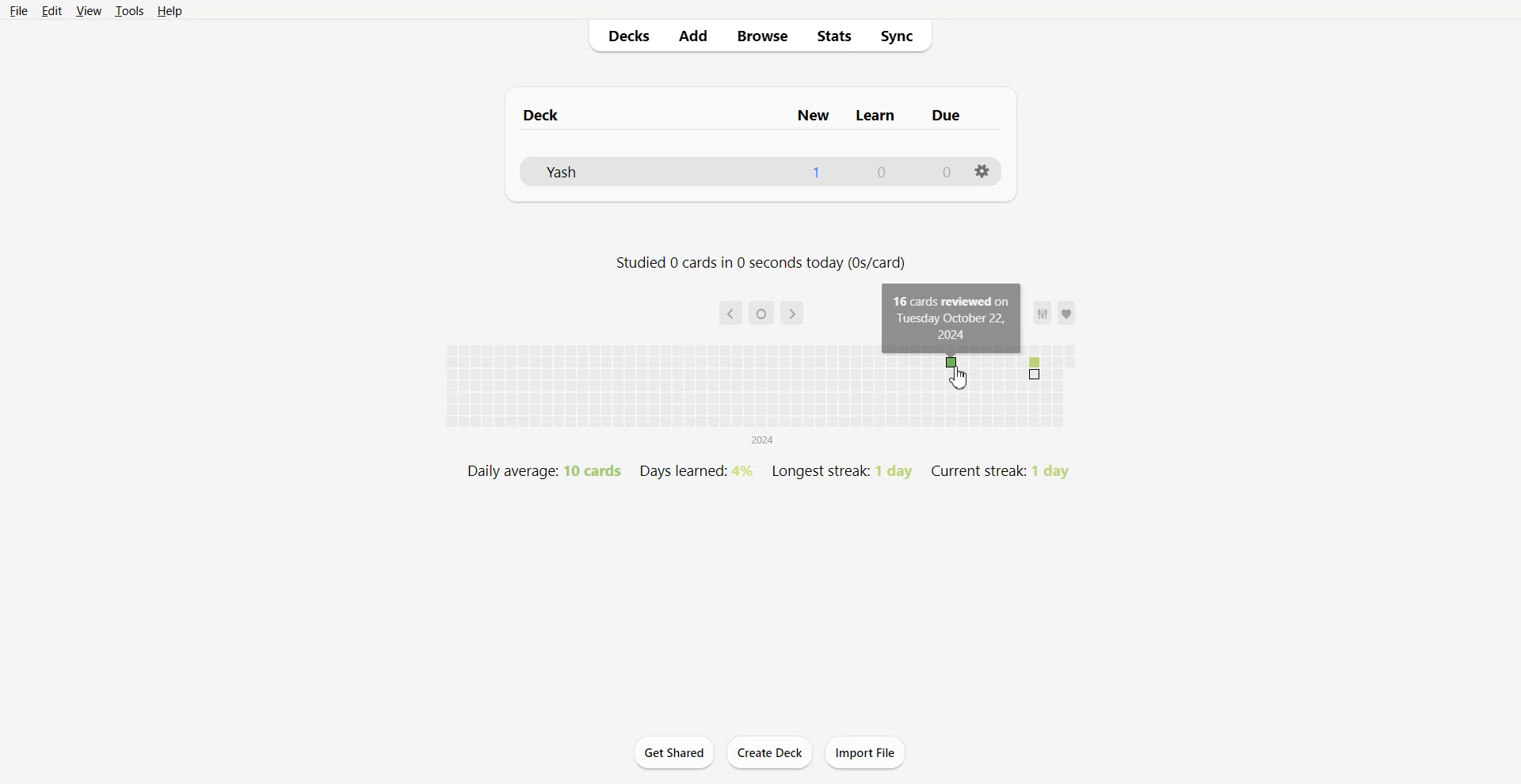  Describe the element at coordinates (905, 36) in the screenshot. I see `Sync` at that location.